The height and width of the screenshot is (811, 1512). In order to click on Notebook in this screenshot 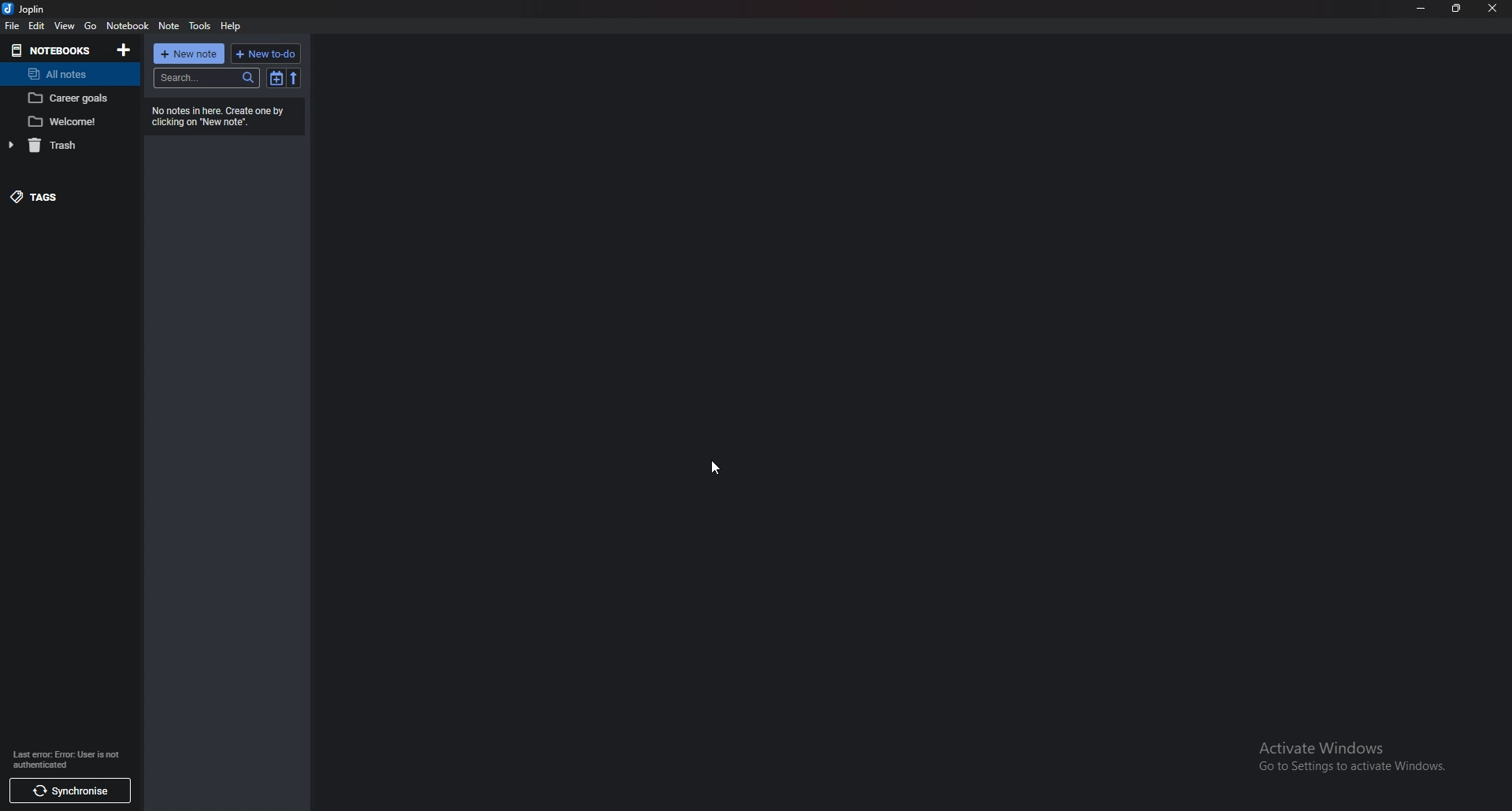, I will do `click(128, 26)`.